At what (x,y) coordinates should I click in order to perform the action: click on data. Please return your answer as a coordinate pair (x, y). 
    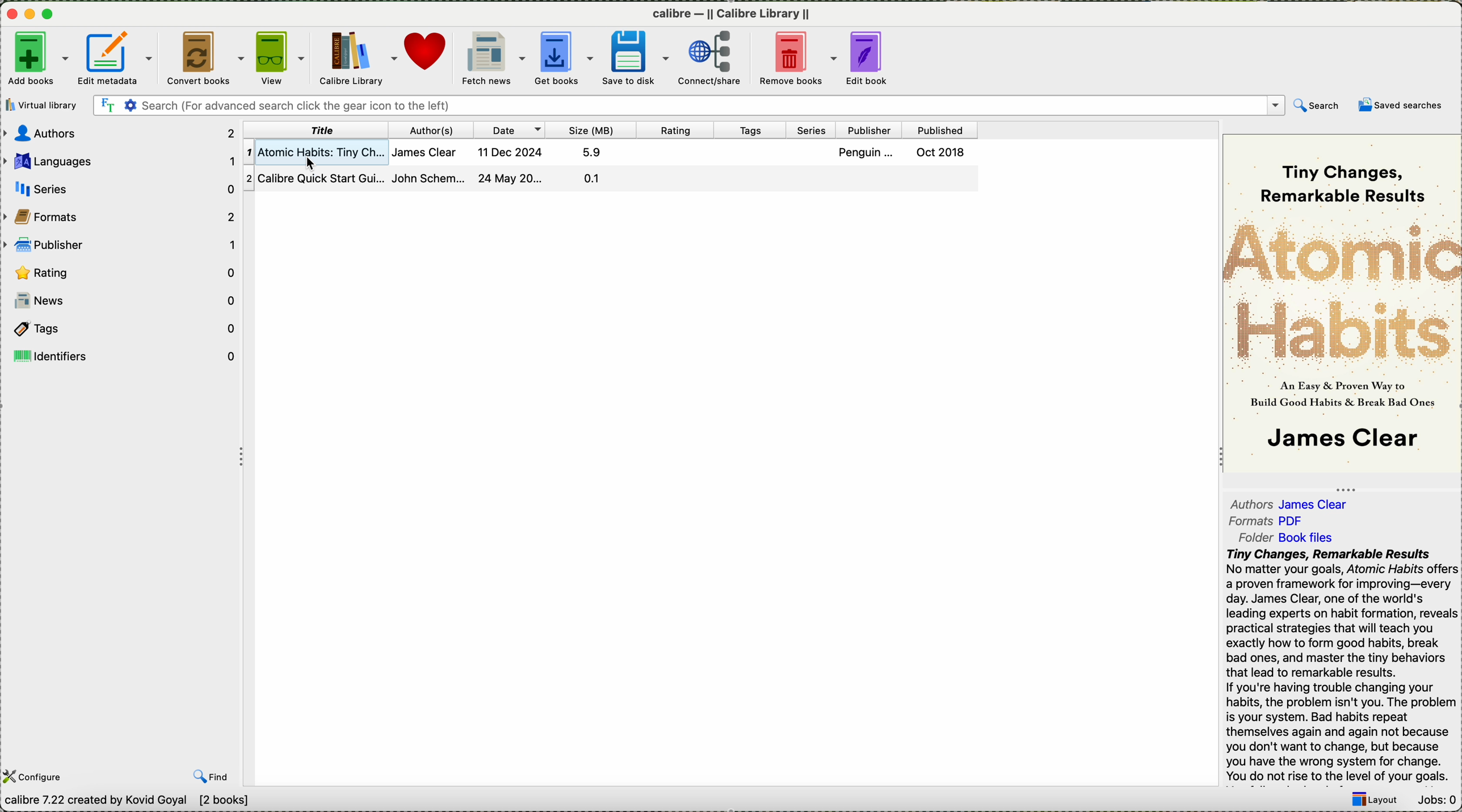
    Looking at the image, I should click on (124, 802).